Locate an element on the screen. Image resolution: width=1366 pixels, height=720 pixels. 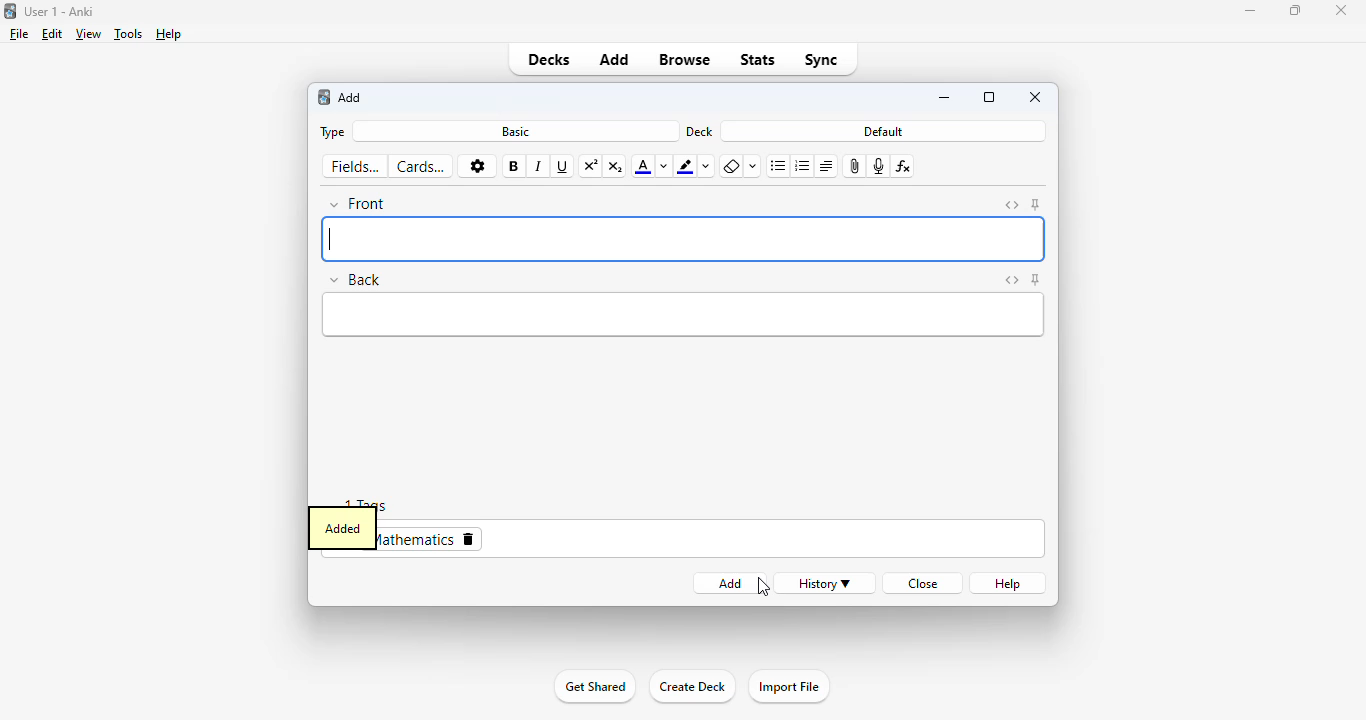
close is located at coordinates (920, 583).